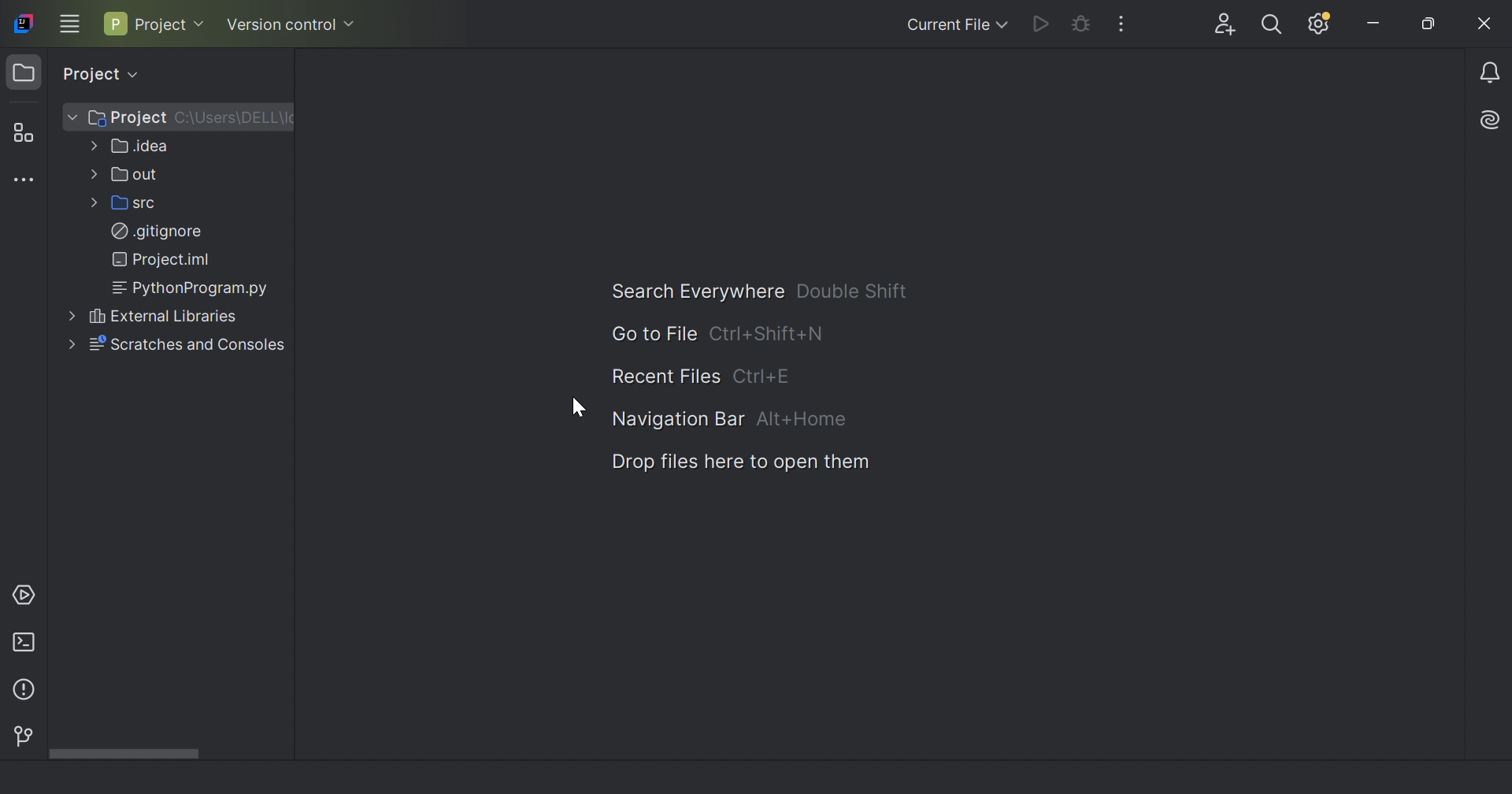 The image size is (1512, 794). What do you see at coordinates (132, 149) in the screenshot?
I see `.idea` at bounding box center [132, 149].